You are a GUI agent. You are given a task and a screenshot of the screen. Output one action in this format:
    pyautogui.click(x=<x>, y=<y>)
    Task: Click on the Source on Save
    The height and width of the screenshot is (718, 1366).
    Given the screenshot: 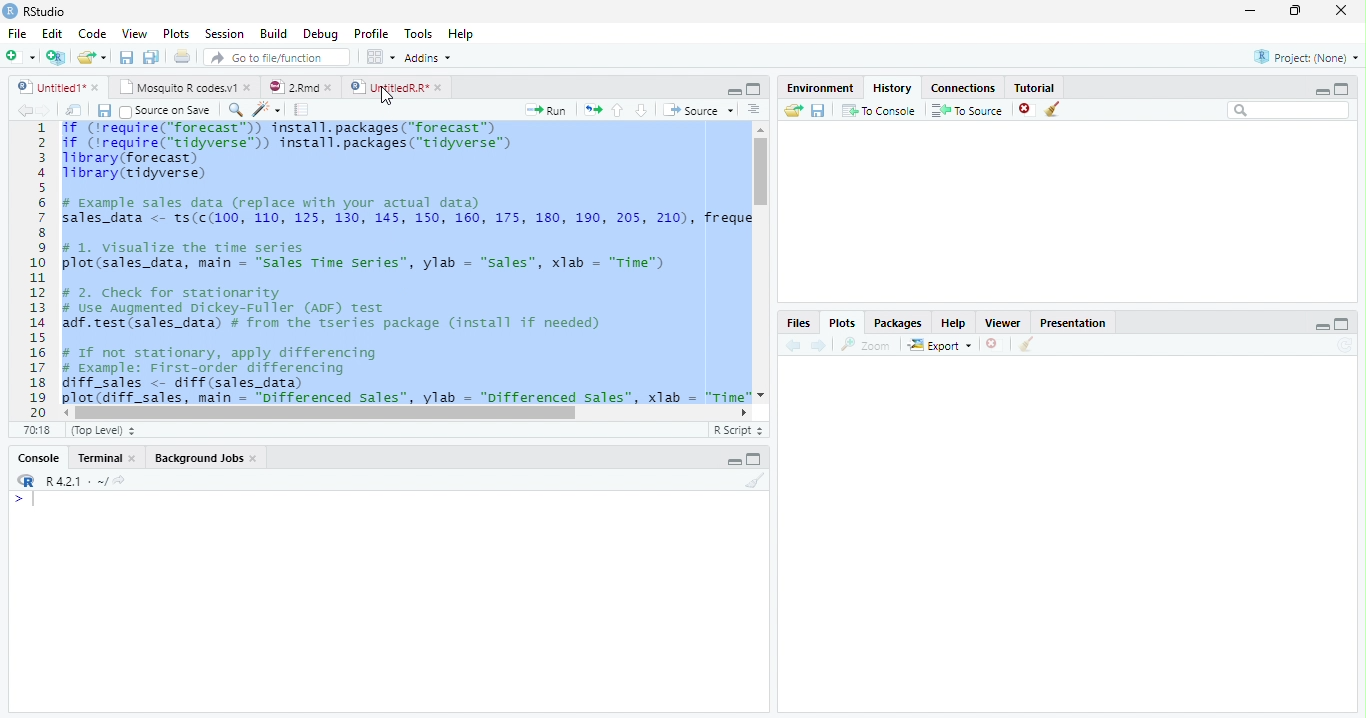 What is the action you would take?
    pyautogui.click(x=165, y=111)
    